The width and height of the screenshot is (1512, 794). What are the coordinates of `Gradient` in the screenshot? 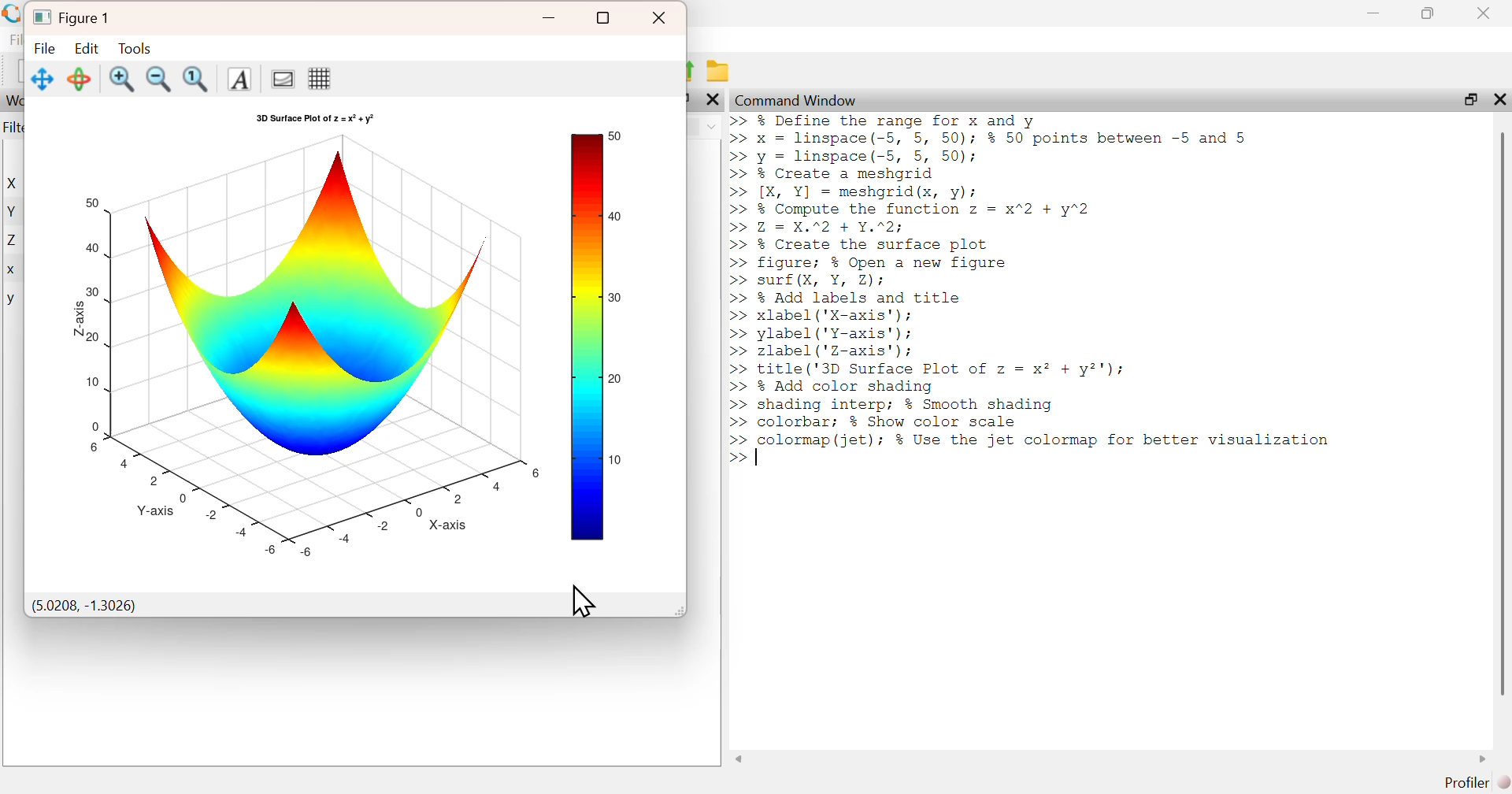 It's located at (280, 78).